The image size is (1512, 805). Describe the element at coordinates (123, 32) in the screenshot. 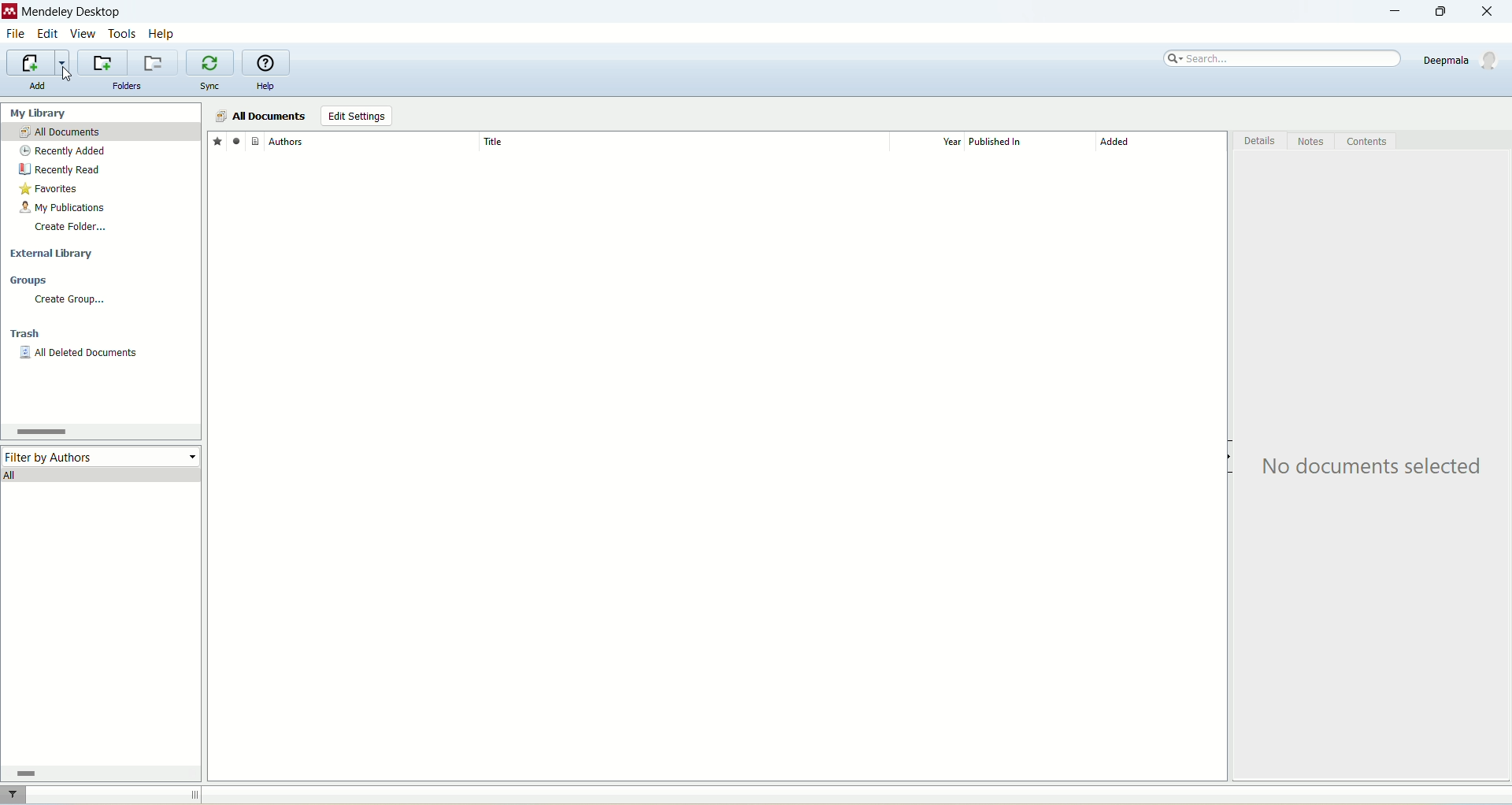

I see `tools` at that location.